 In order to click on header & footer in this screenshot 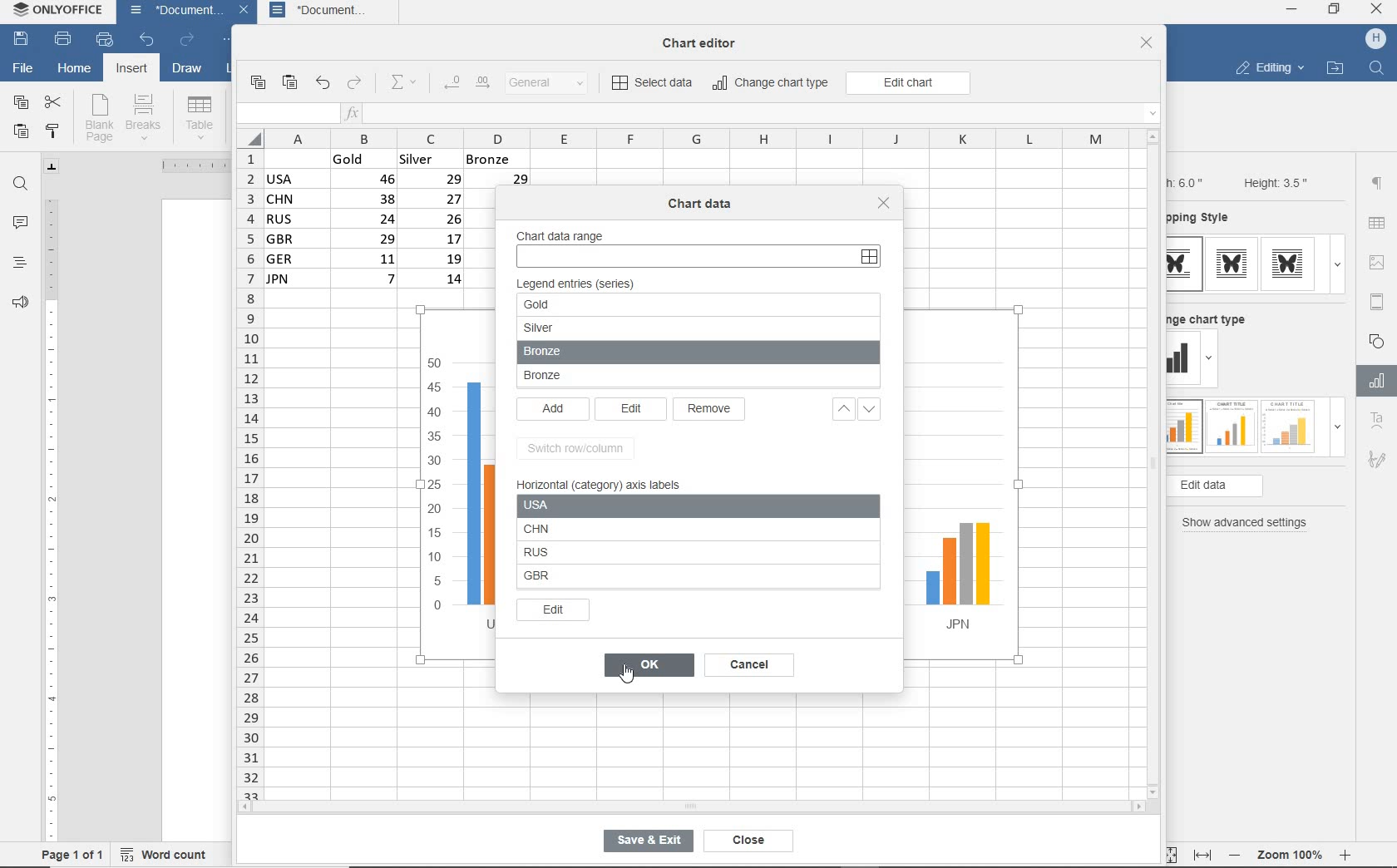, I will do `click(1376, 301)`.